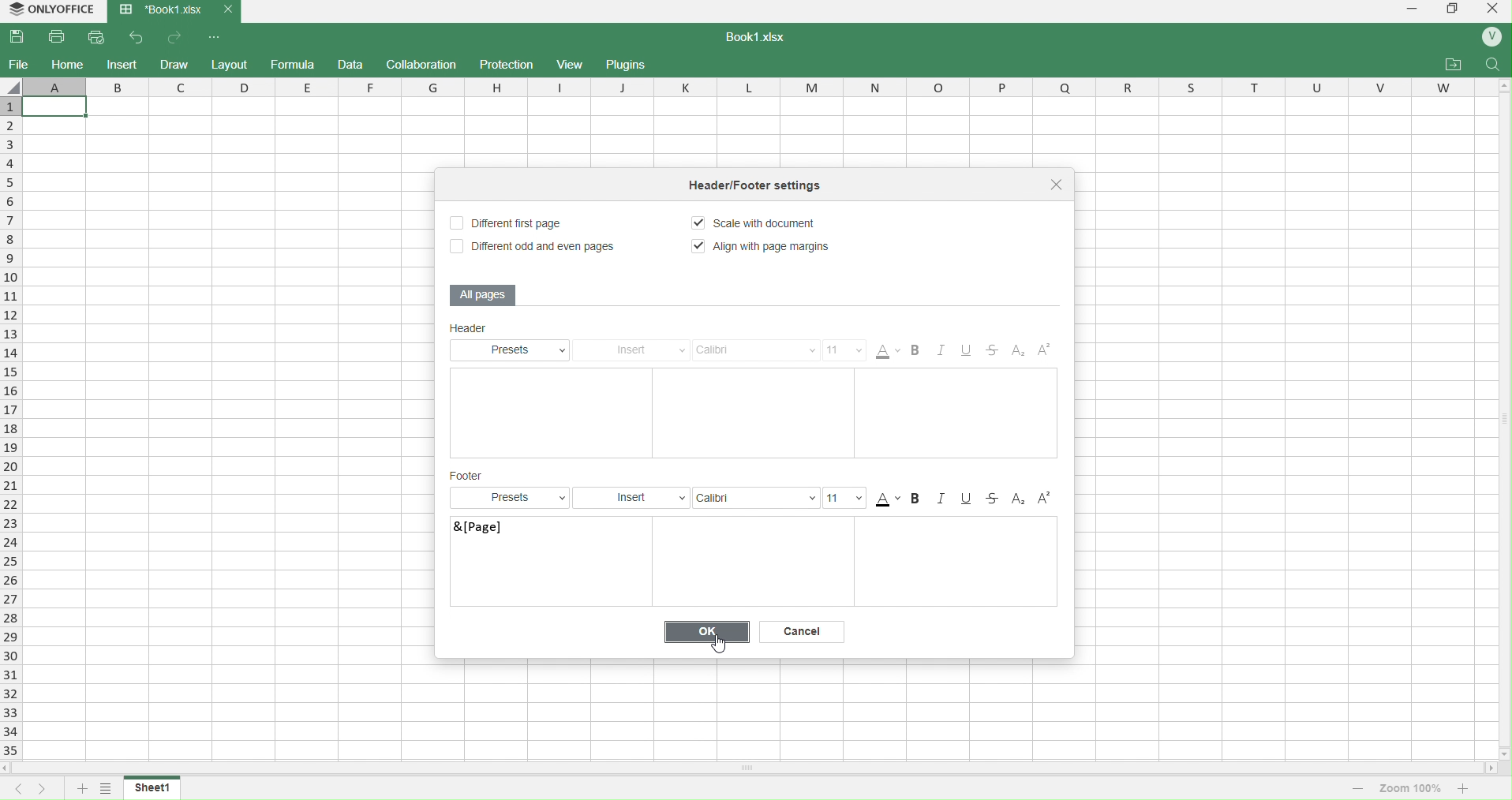  Describe the element at coordinates (754, 497) in the screenshot. I see `Font` at that location.